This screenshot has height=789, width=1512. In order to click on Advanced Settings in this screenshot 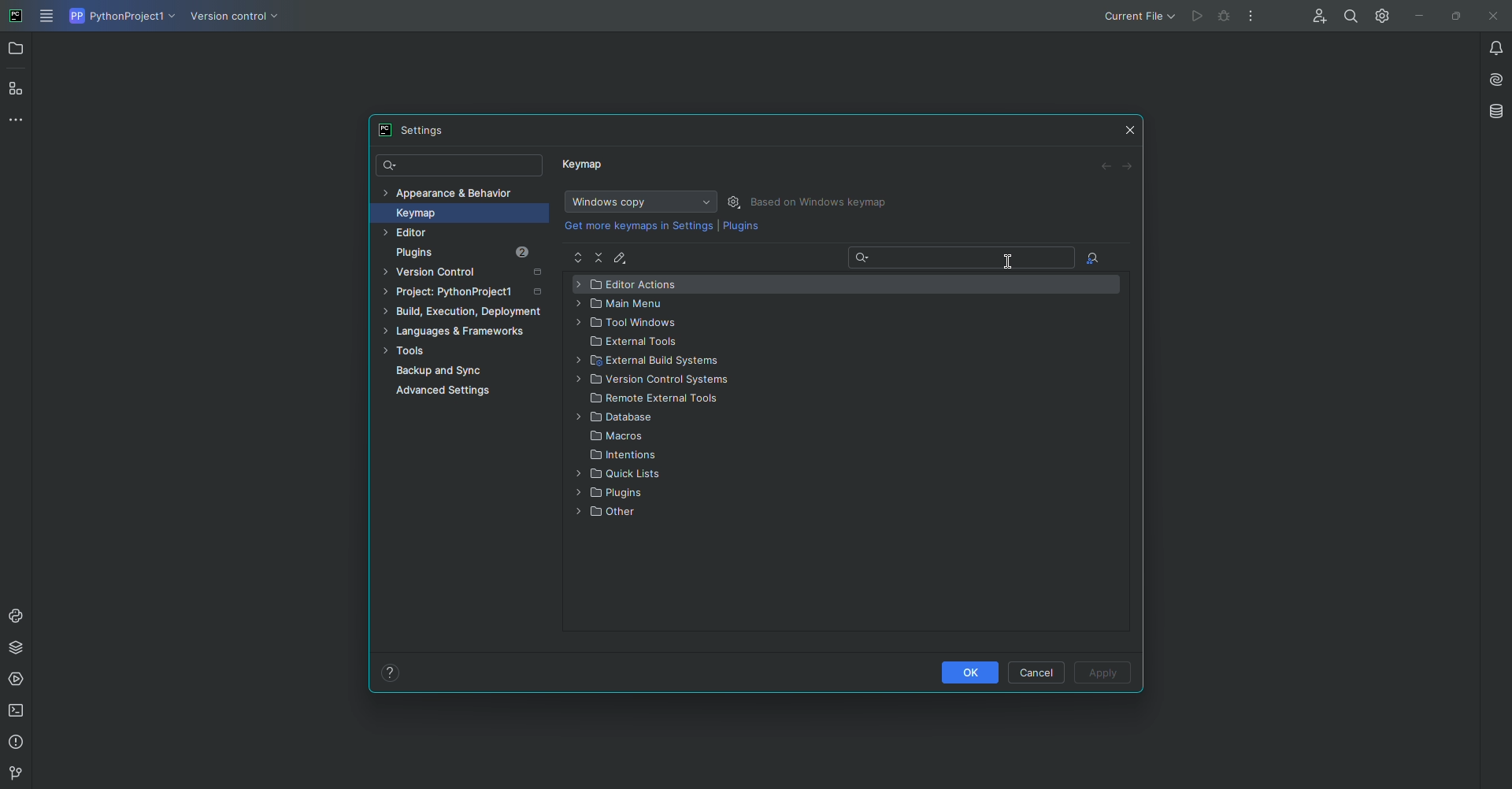, I will do `click(447, 393)`.